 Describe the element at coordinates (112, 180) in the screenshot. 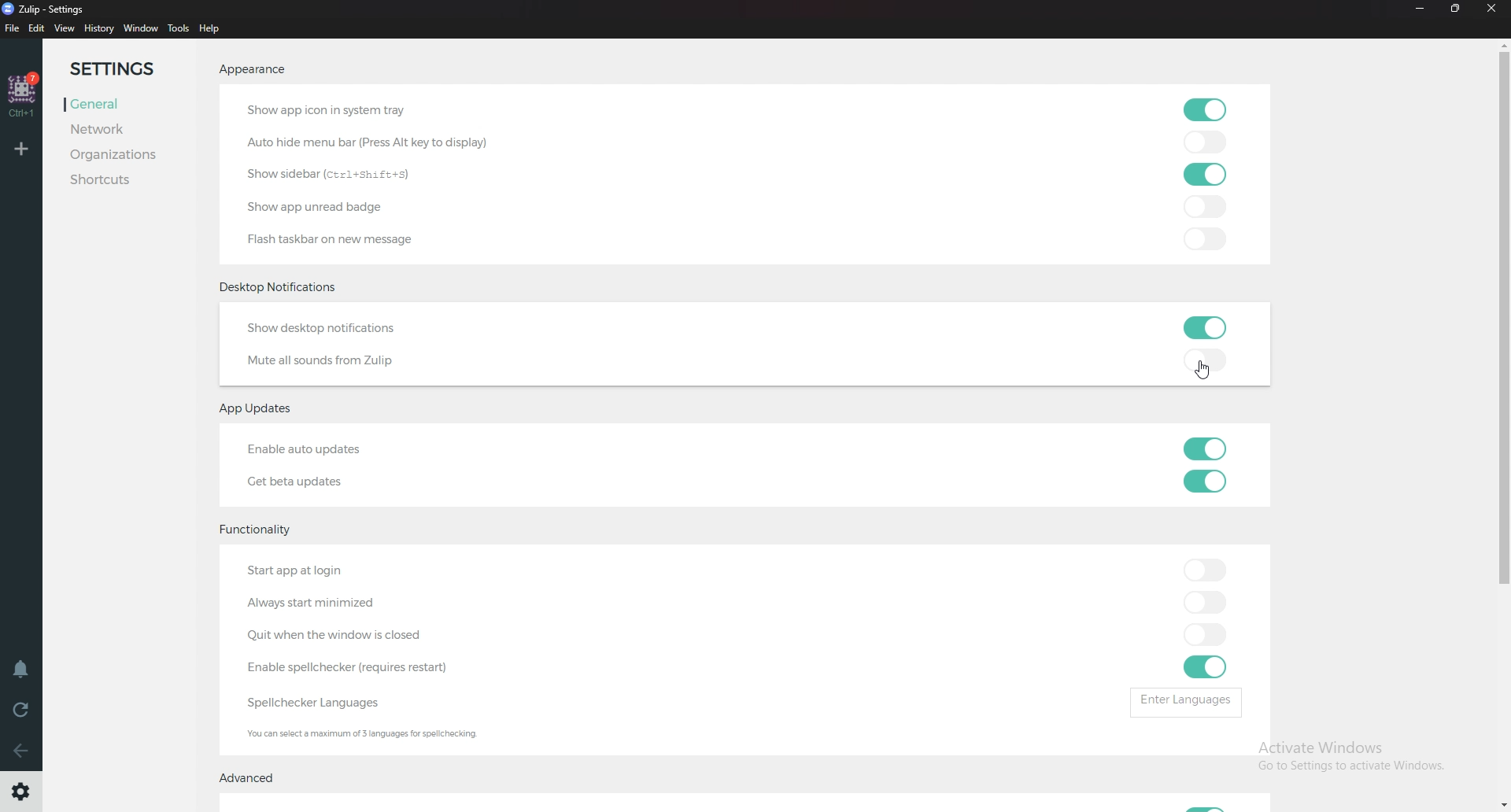

I see `Shortcuts` at that location.